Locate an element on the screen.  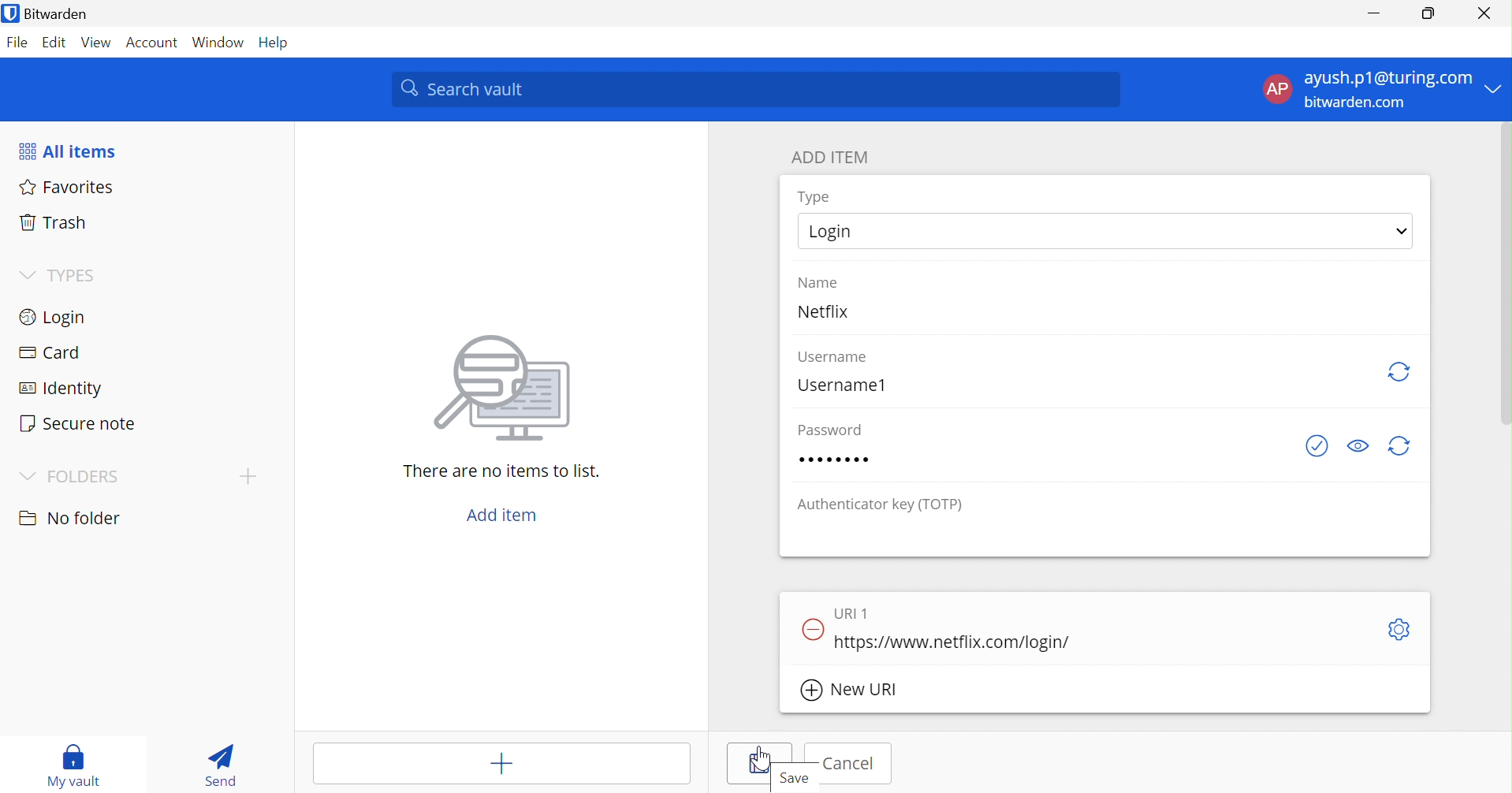
Minimize is located at coordinates (1379, 14).